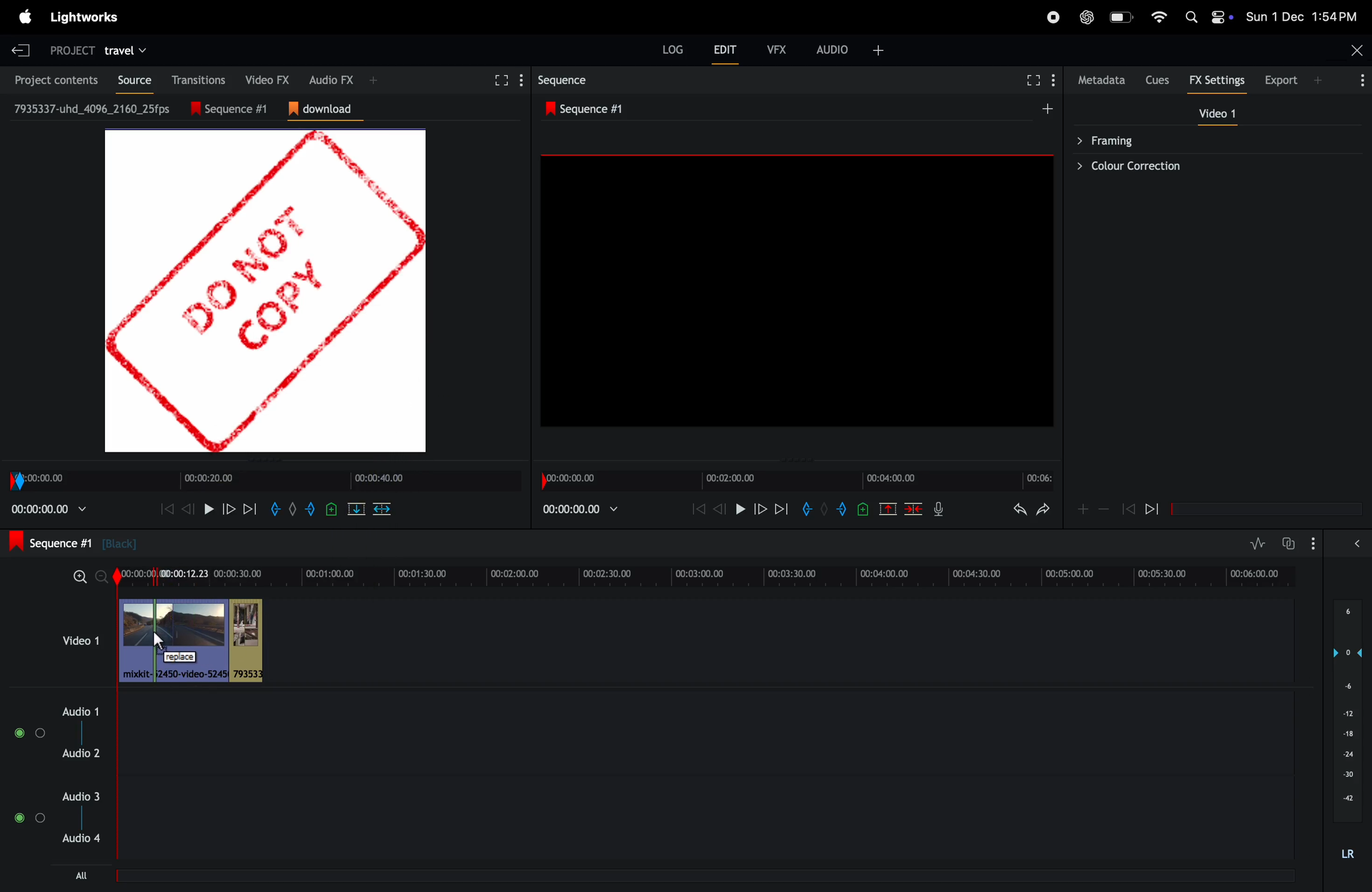 This screenshot has height=892, width=1372. I want to click on cut, so click(888, 508).